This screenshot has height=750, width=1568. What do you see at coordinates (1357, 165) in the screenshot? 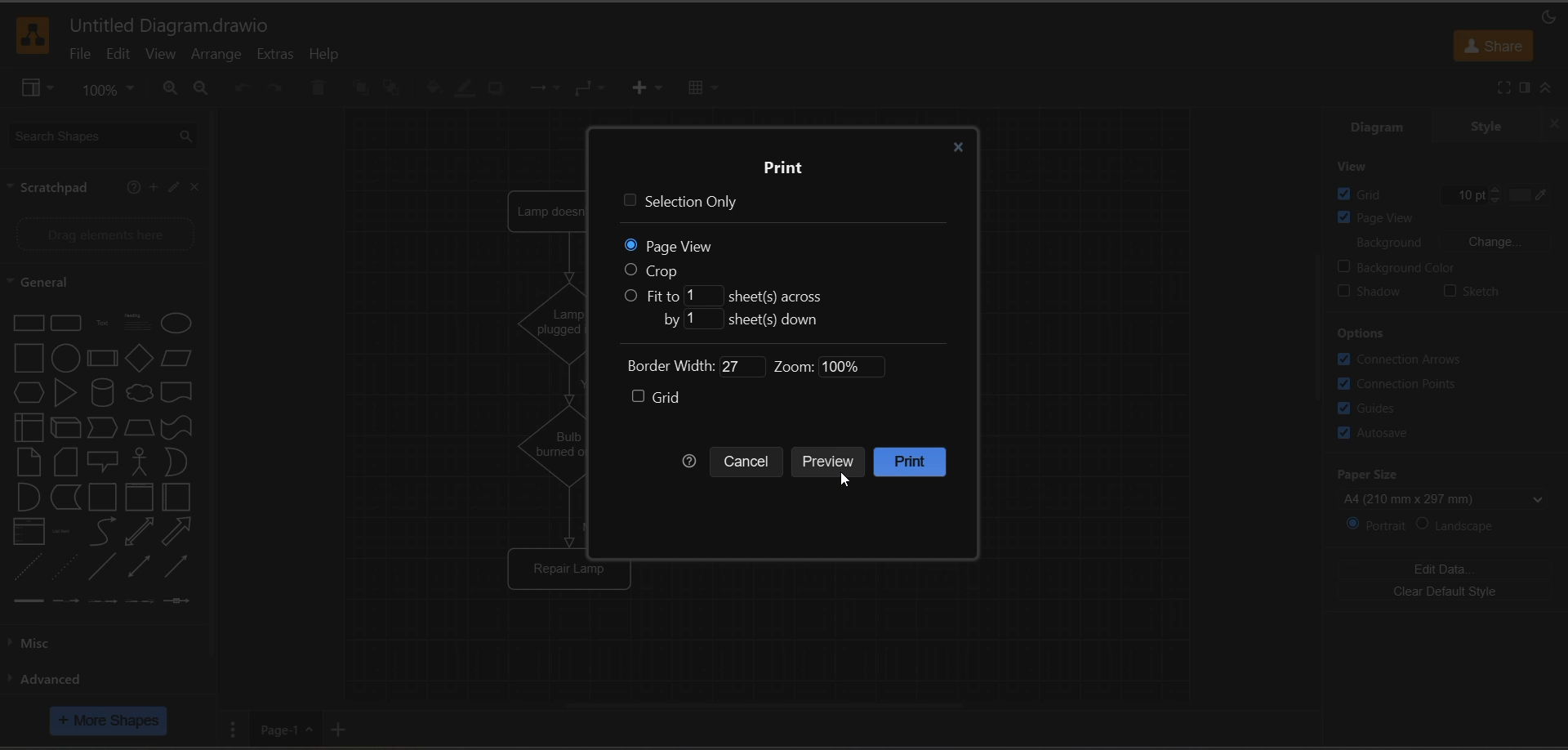
I see `view` at bounding box center [1357, 165].